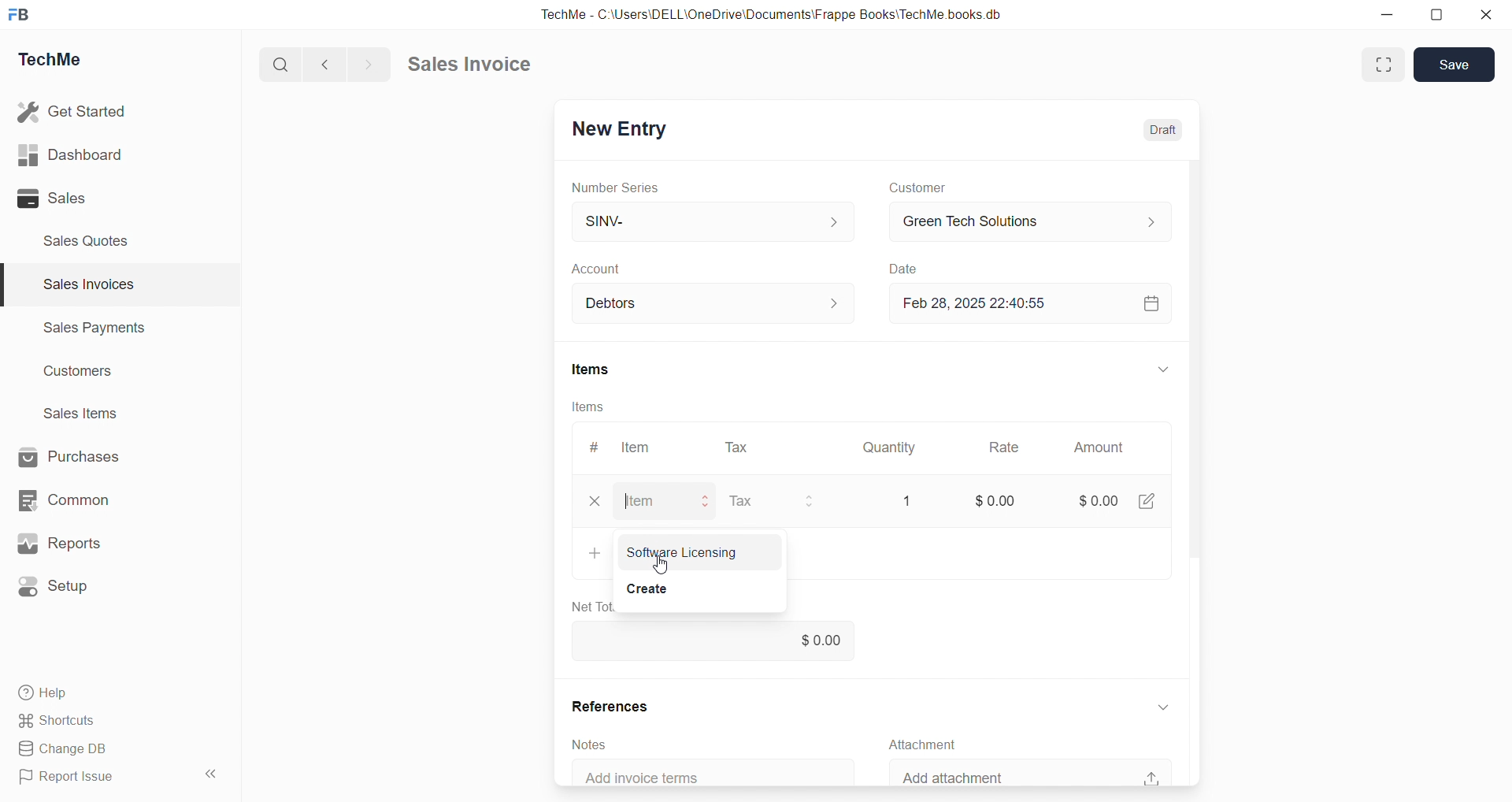 The image size is (1512, 802). Describe the element at coordinates (715, 303) in the screenshot. I see `Debtors` at that location.